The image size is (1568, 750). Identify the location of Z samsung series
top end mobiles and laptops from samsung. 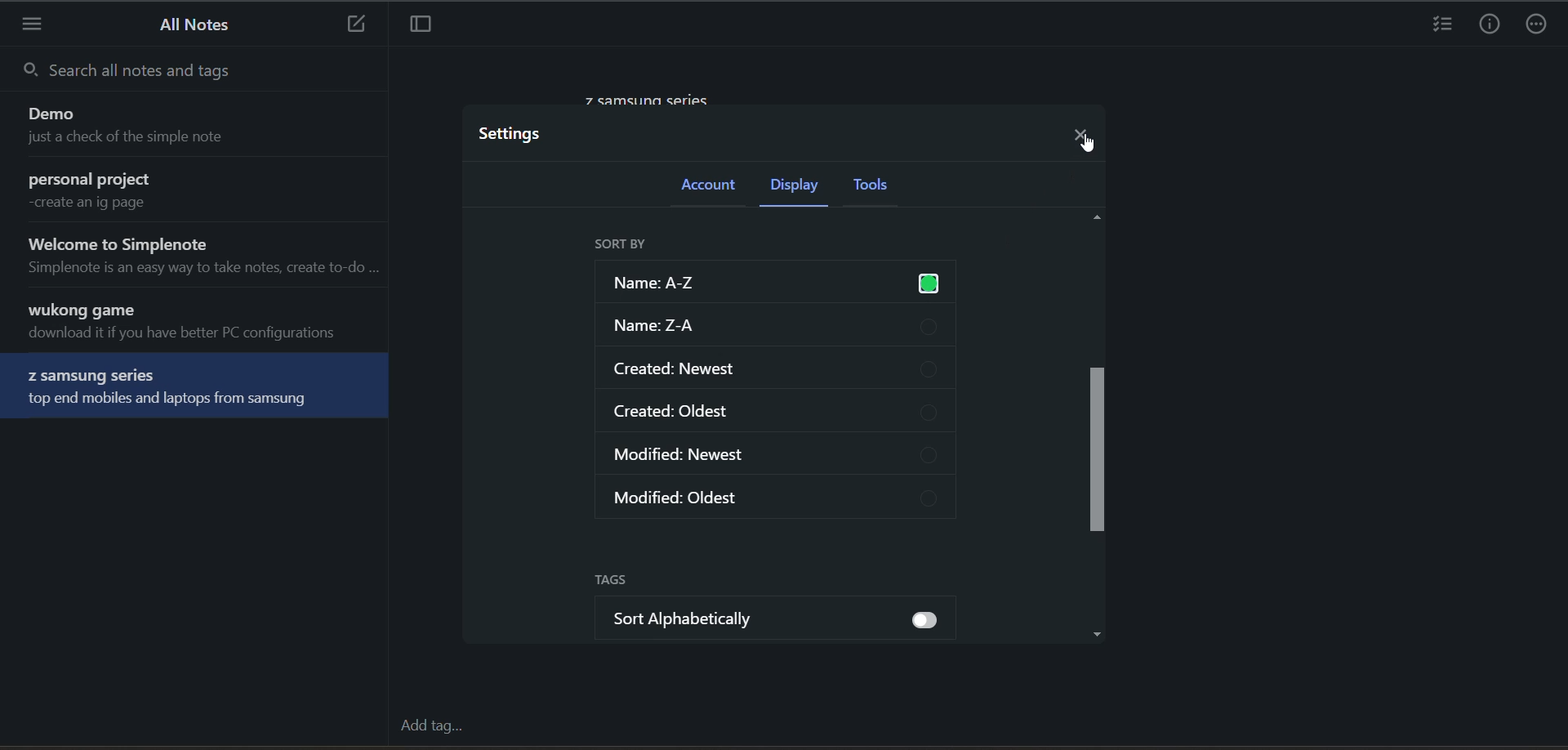
(197, 388).